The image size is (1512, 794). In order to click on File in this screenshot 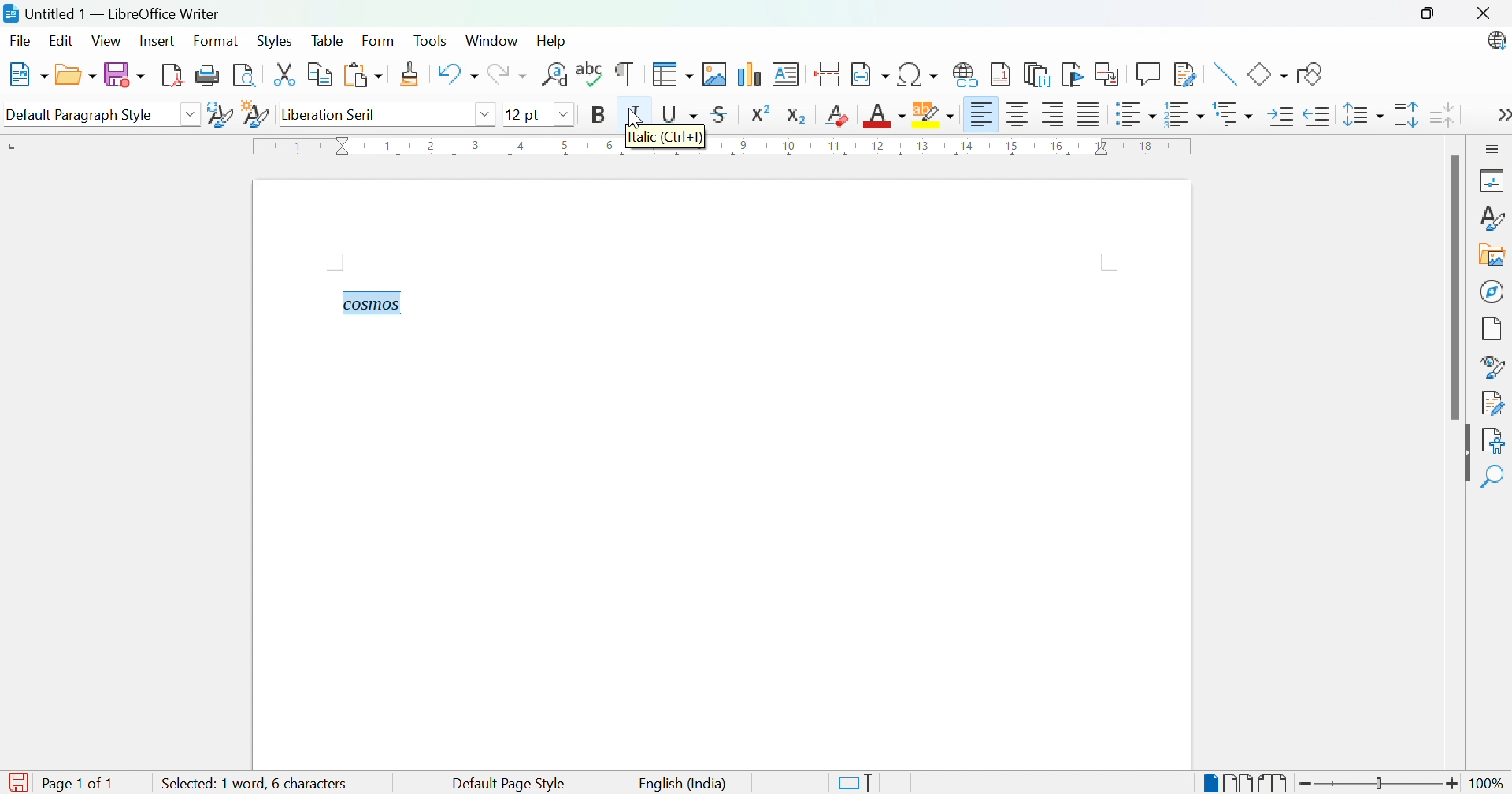, I will do `click(22, 41)`.